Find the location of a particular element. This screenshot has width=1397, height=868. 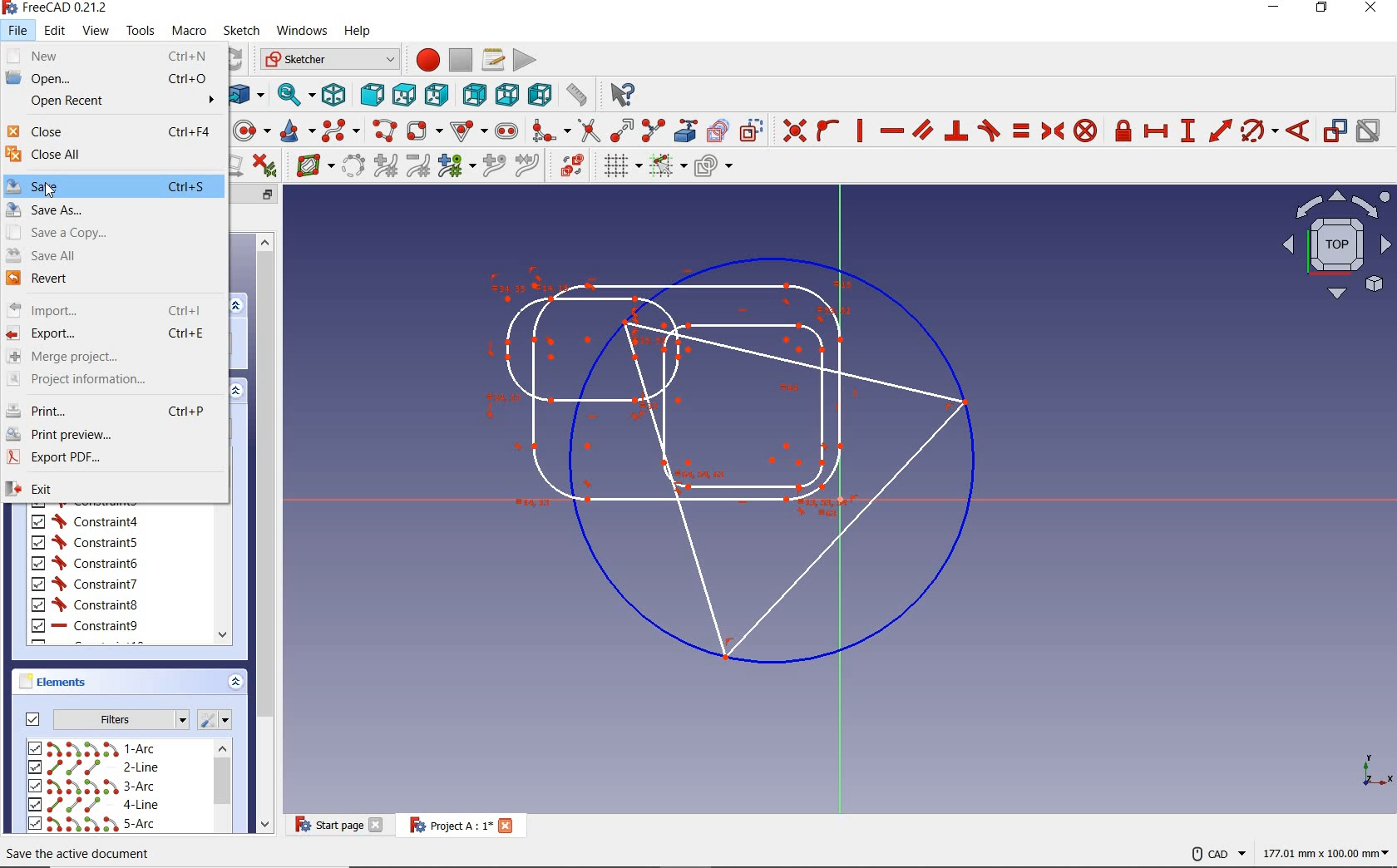

create circle is located at coordinates (250, 130).